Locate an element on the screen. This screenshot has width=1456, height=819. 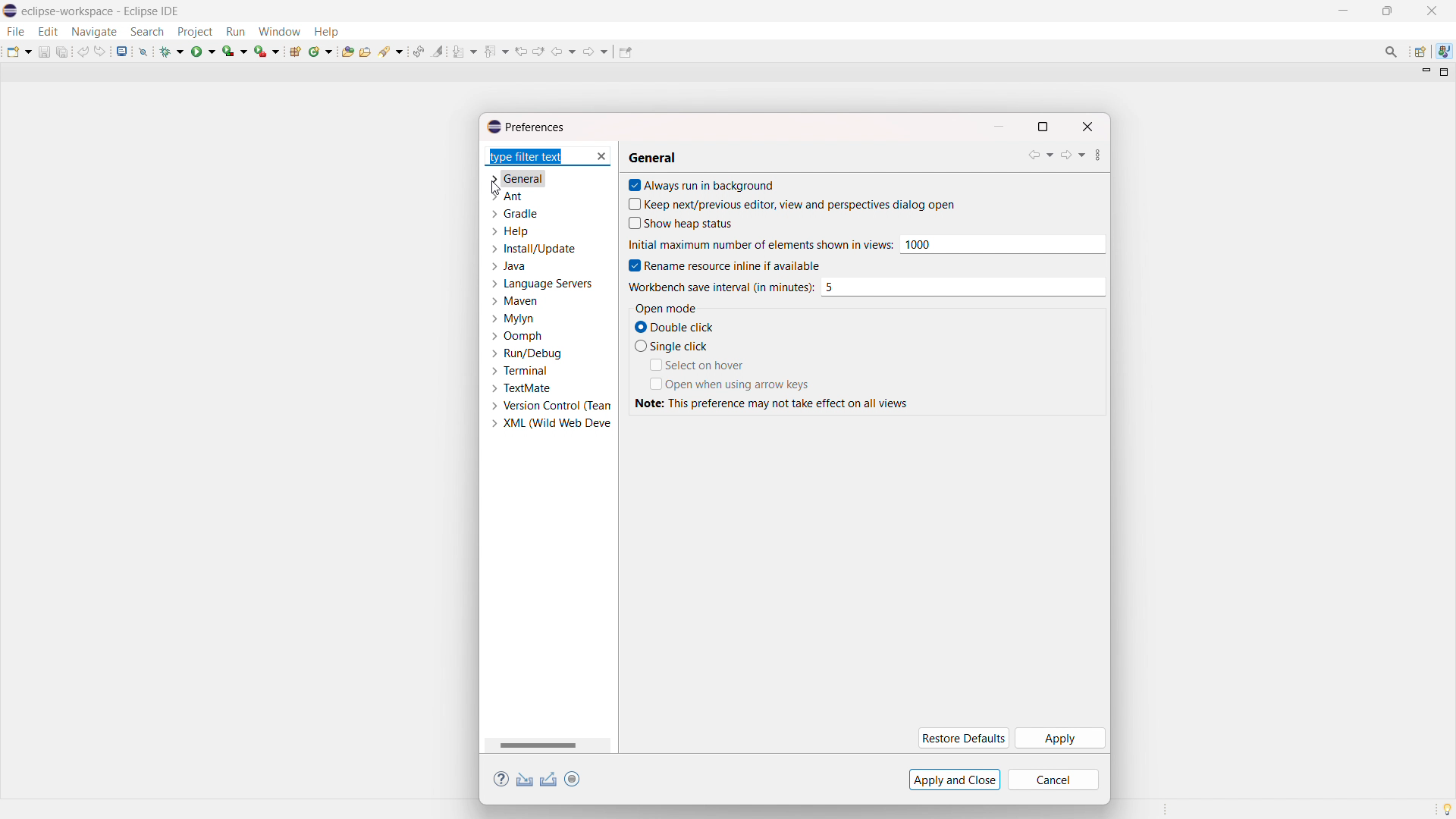
cursor is located at coordinates (720, 287).